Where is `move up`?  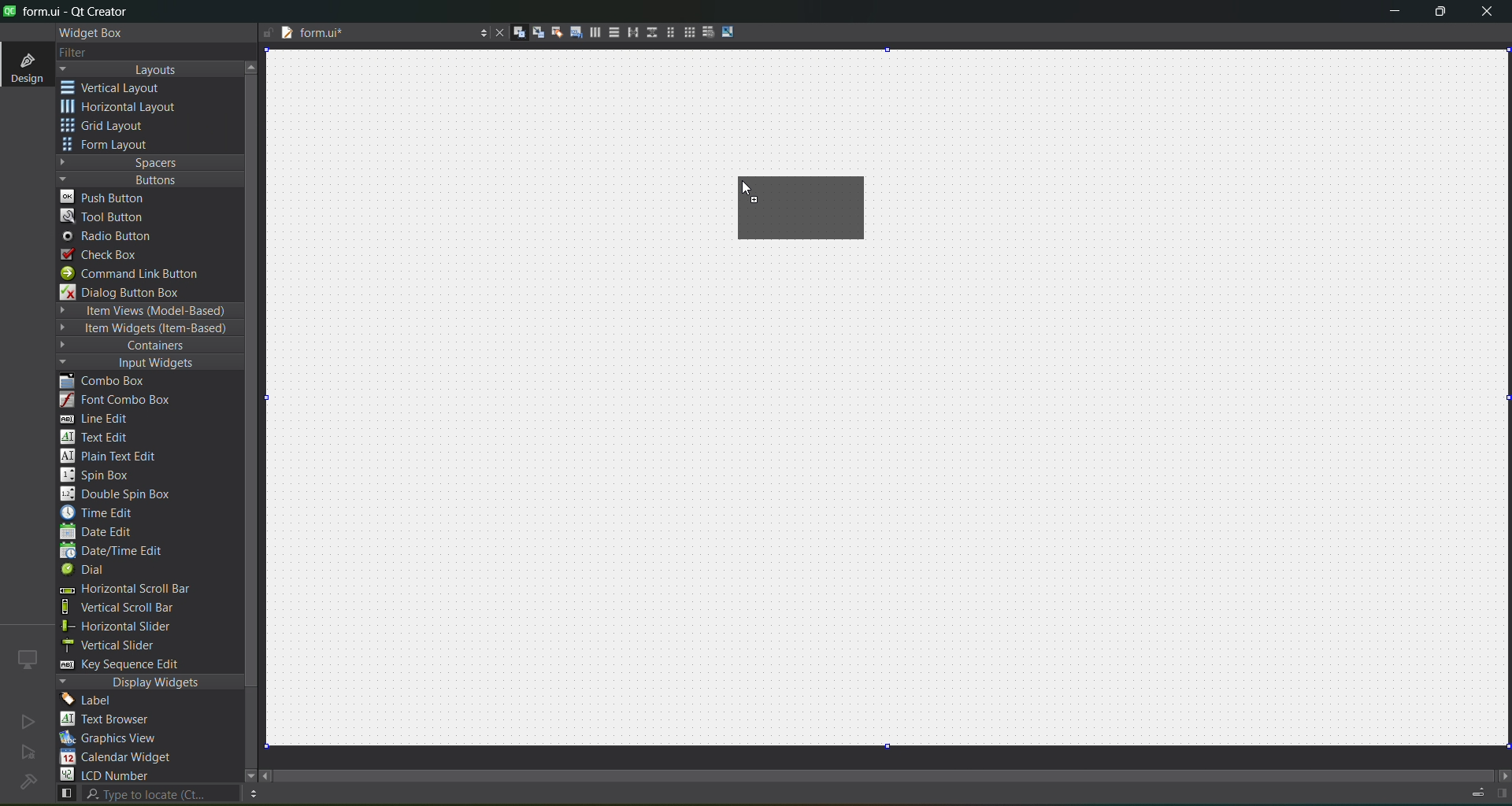
move up is located at coordinates (254, 65).